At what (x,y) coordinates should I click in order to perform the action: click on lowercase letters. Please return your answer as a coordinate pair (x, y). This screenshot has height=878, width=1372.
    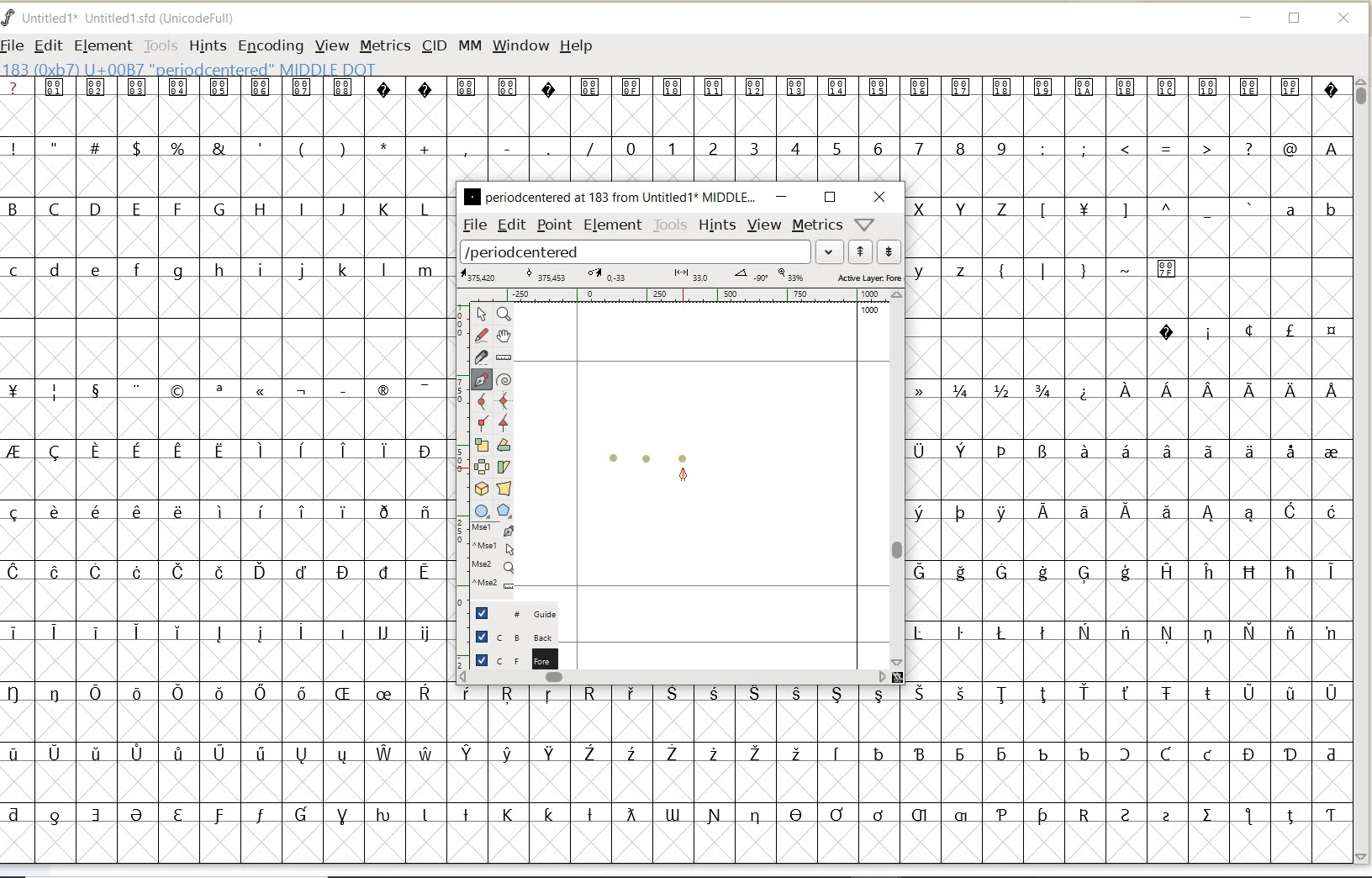
    Looking at the image, I should click on (1310, 213).